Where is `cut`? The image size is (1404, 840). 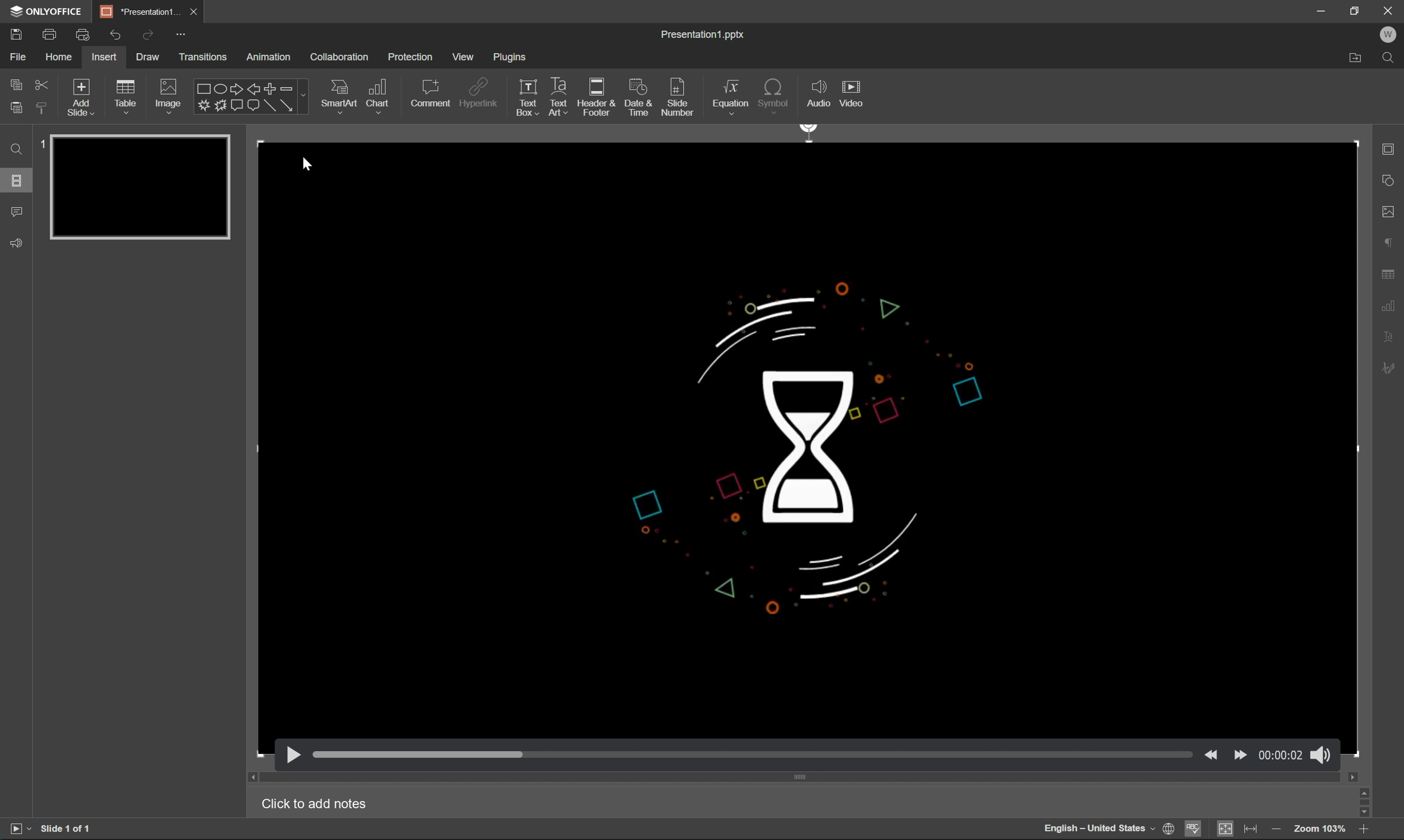
cut is located at coordinates (43, 83).